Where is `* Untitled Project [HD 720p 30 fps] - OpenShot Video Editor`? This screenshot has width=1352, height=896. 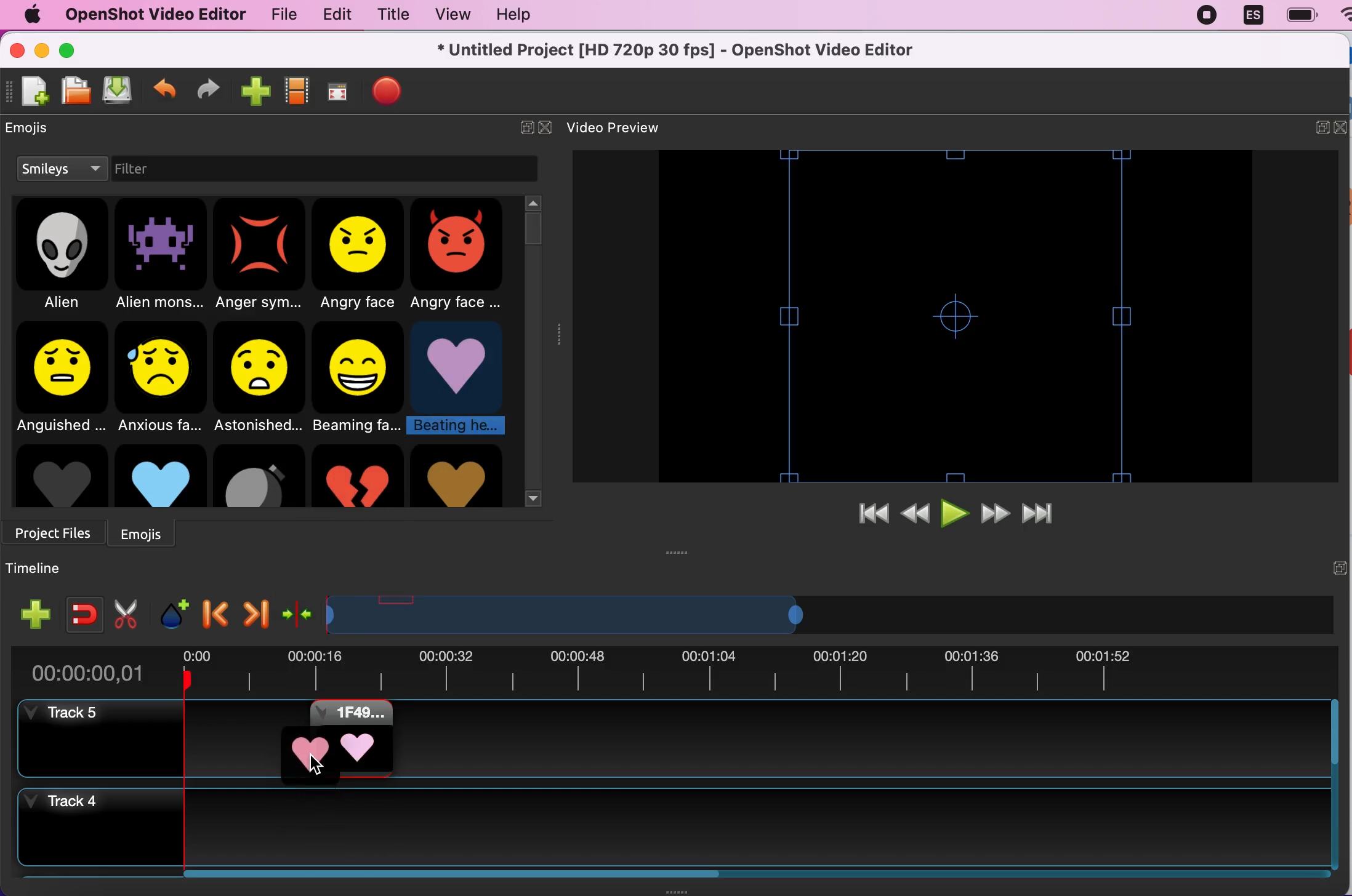 * Untitled Project [HD 720p 30 fps] - OpenShot Video Editor is located at coordinates (680, 49).